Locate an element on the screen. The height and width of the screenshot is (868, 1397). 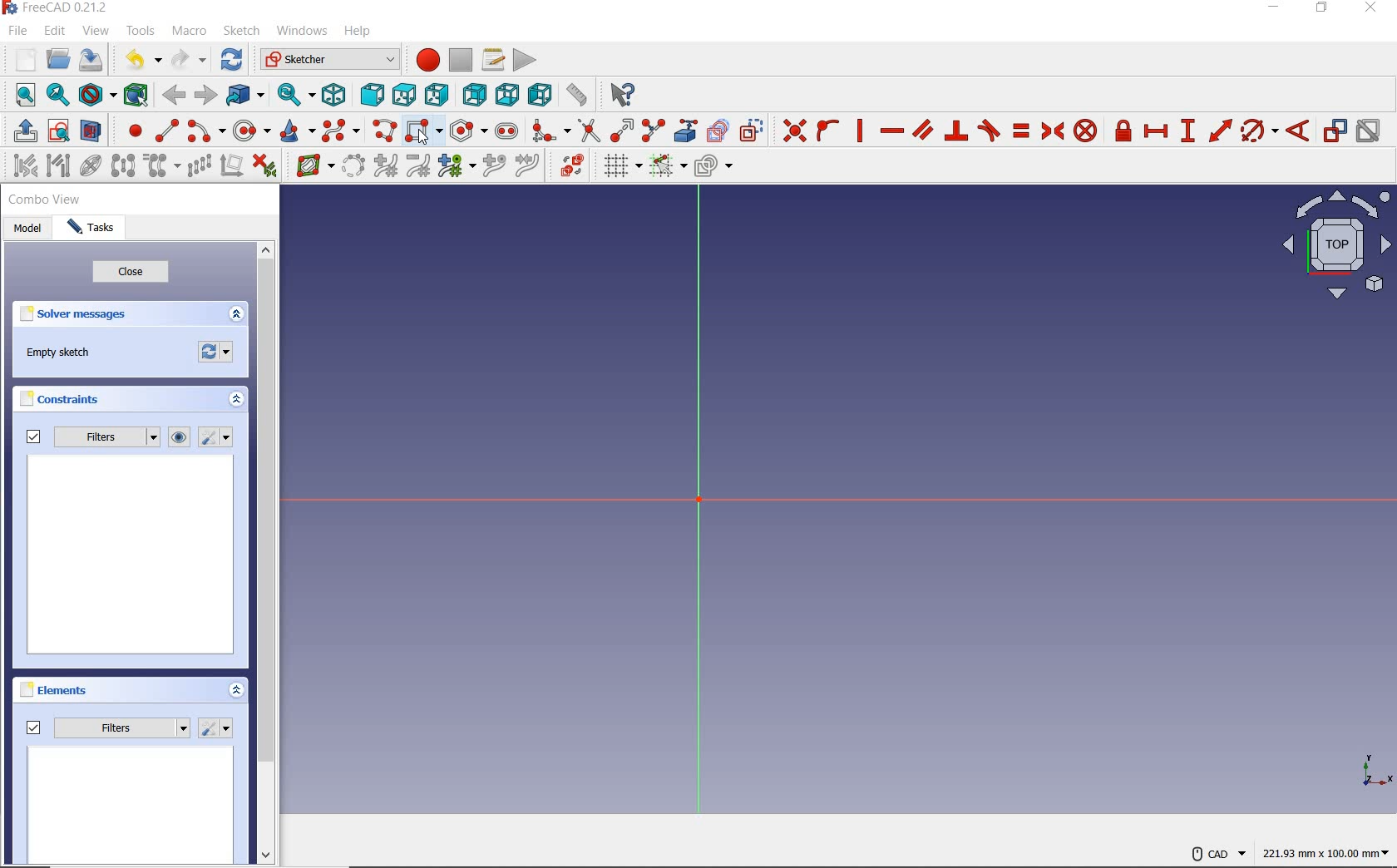
view section is located at coordinates (91, 131).